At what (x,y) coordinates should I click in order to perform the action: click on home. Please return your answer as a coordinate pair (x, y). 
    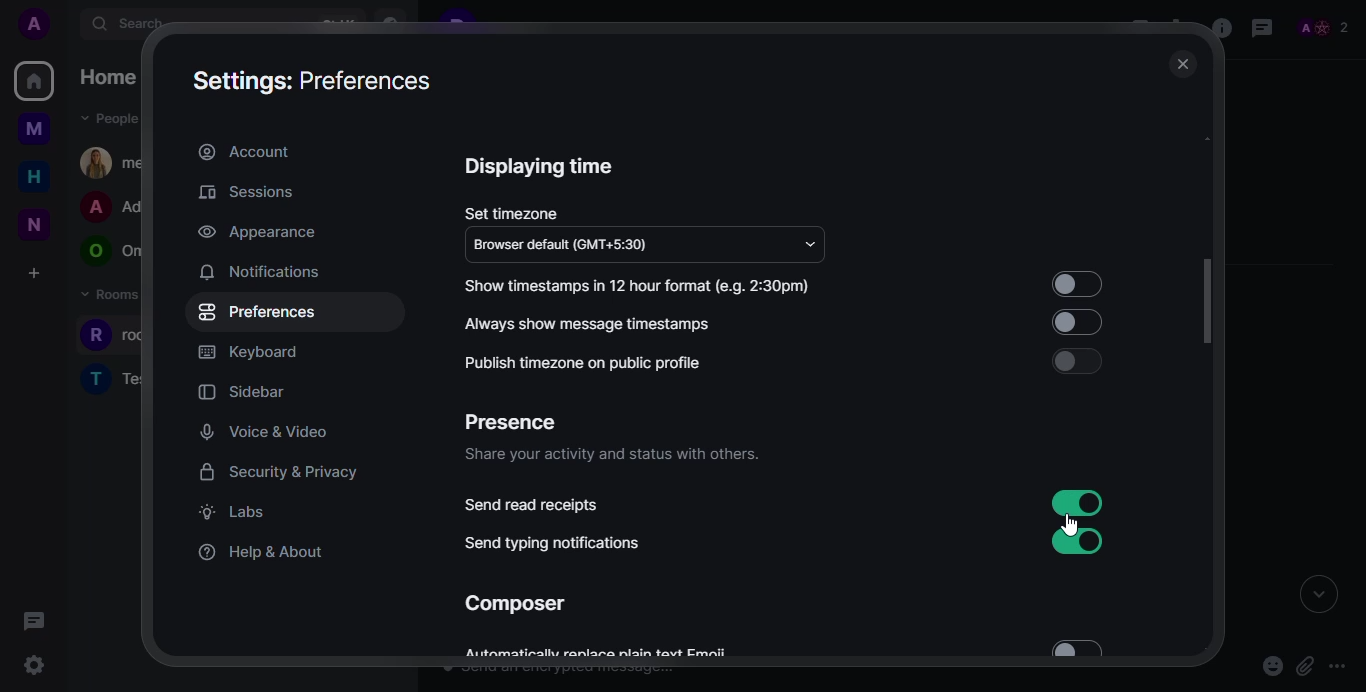
    Looking at the image, I should click on (113, 77).